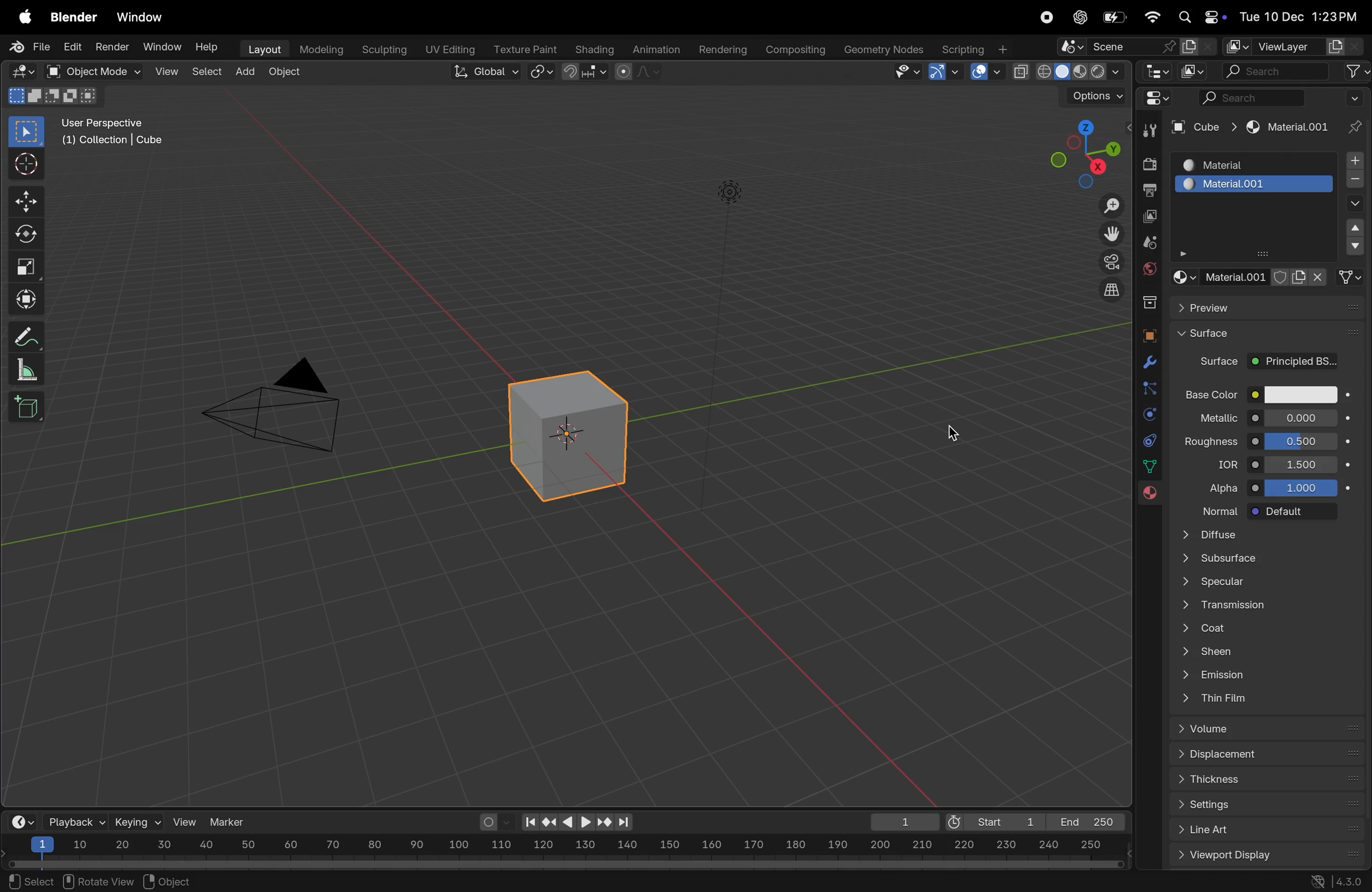 The width and height of the screenshot is (1372, 892). Describe the element at coordinates (24, 235) in the screenshot. I see `rotate` at that location.